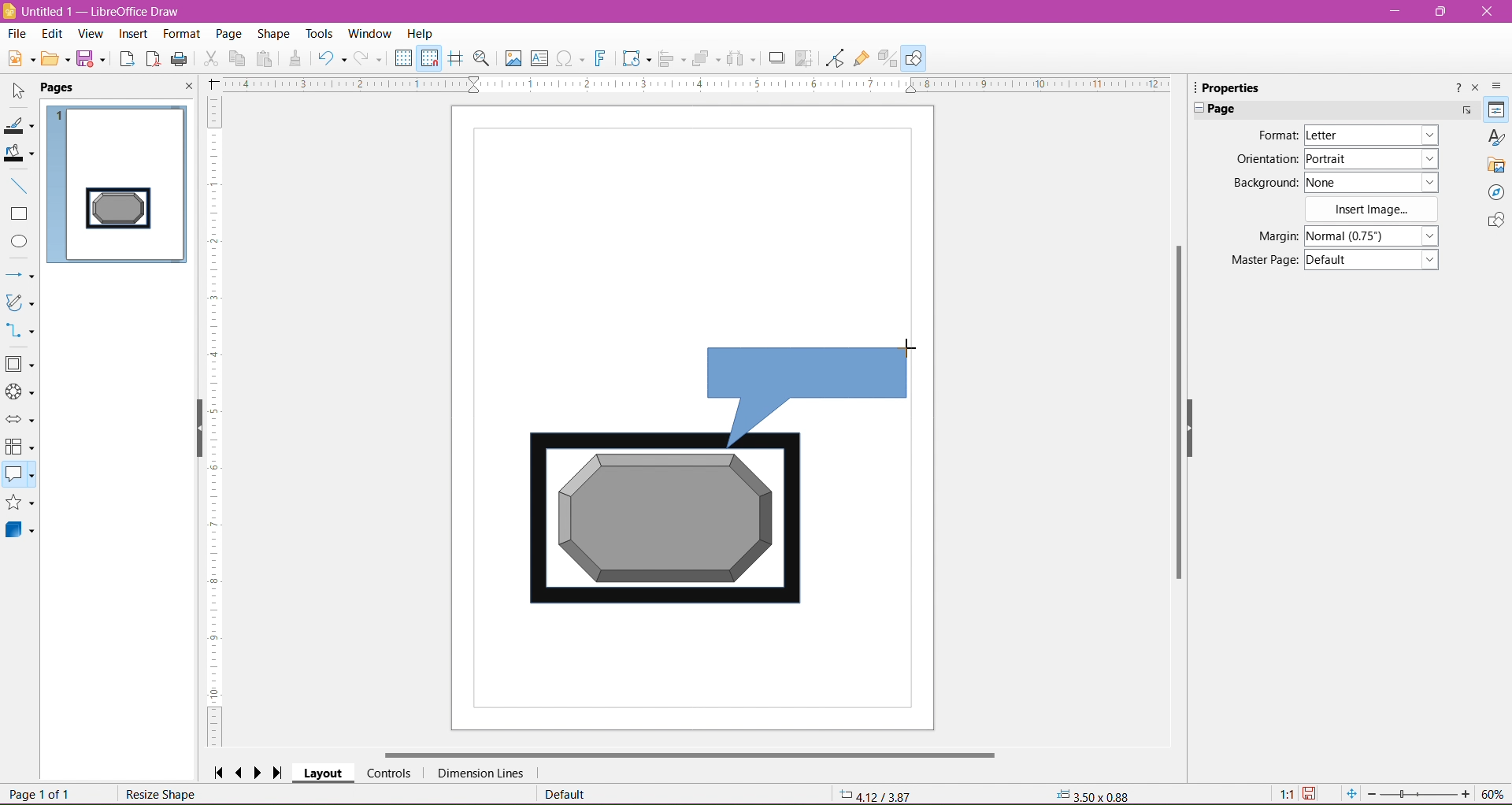 The height and width of the screenshot is (805, 1512). What do you see at coordinates (1418, 795) in the screenshot?
I see `slider` at bounding box center [1418, 795].